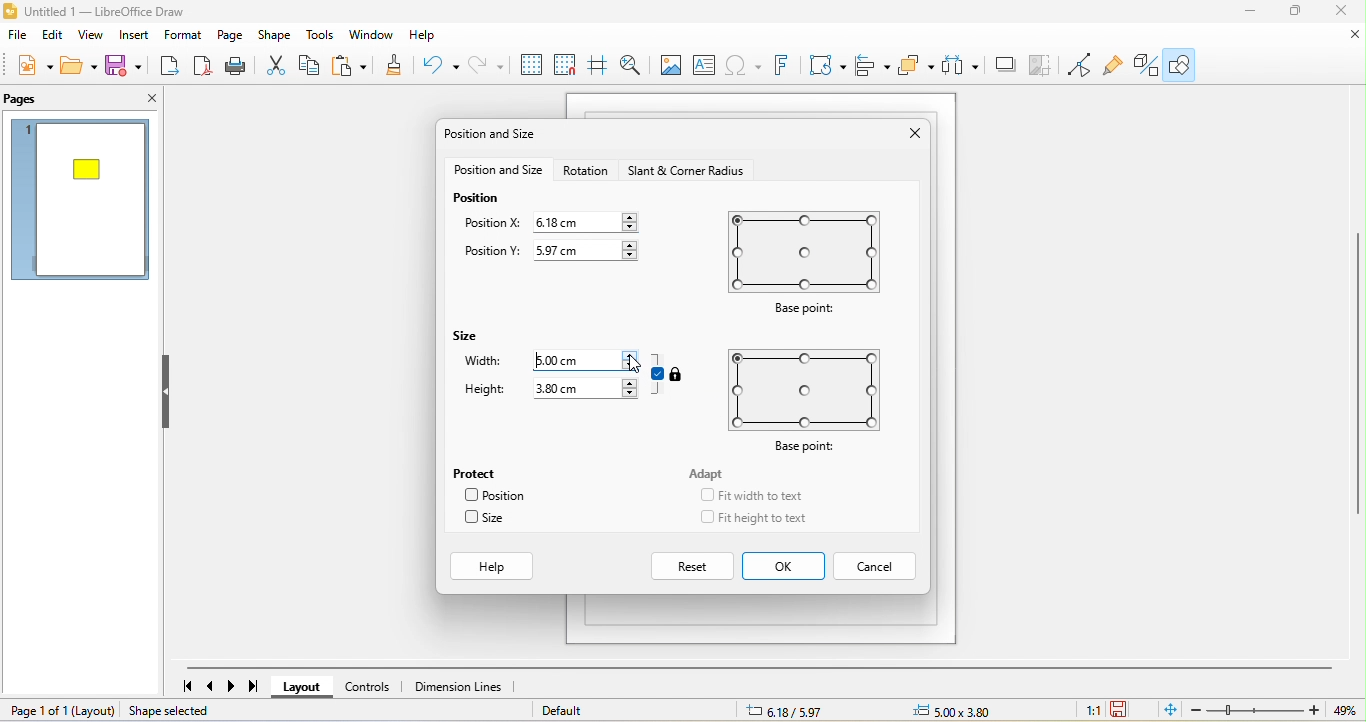 This screenshot has width=1366, height=722. Describe the element at coordinates (54, 36) in the screenshot. I see `edit` at that location.